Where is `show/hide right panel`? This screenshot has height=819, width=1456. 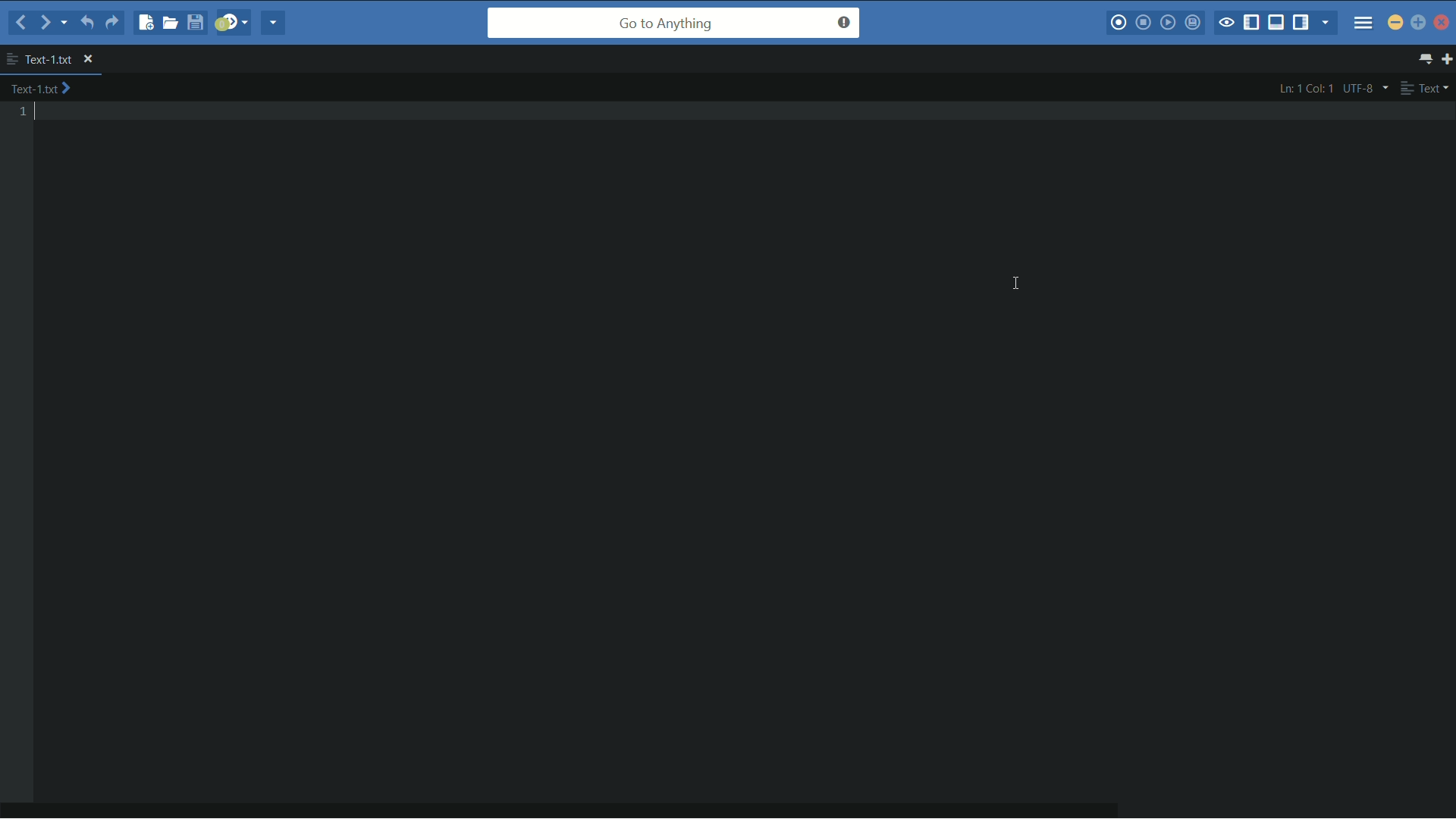 show/hide right panel is located at coordinates (1302, 24).